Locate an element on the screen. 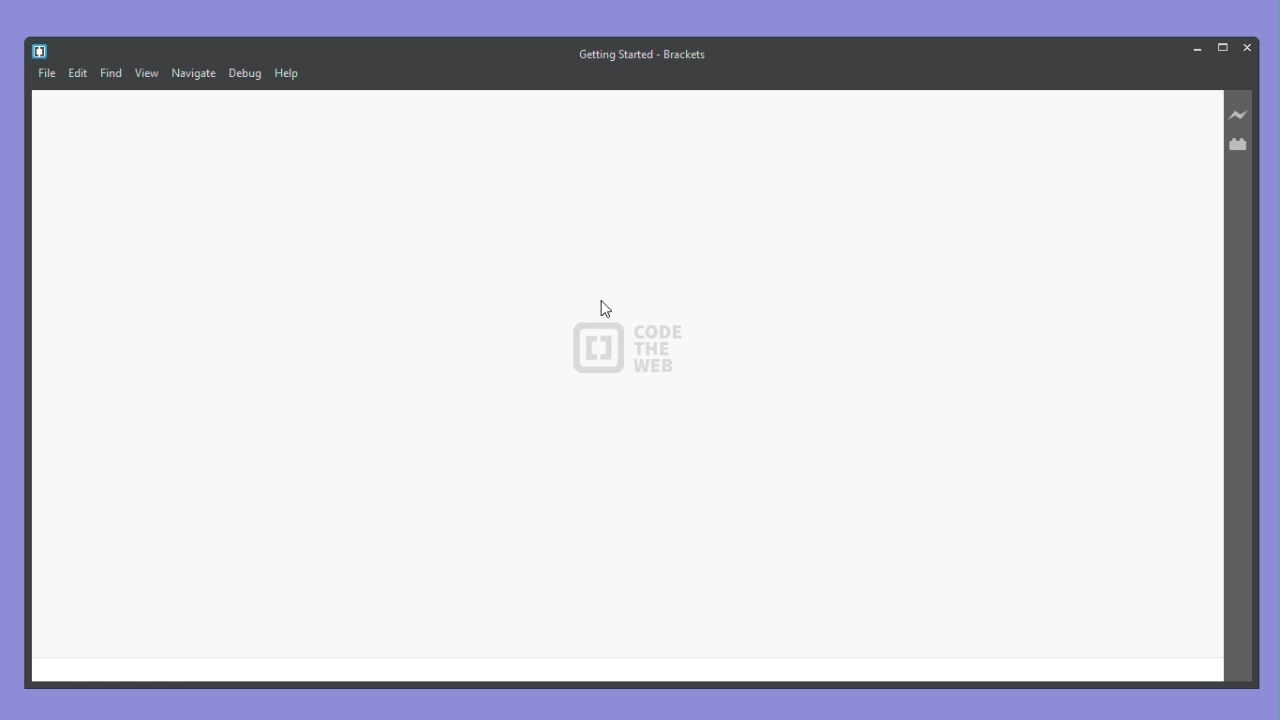  getting Started -  Brackets is located at coordinates (645, 53).